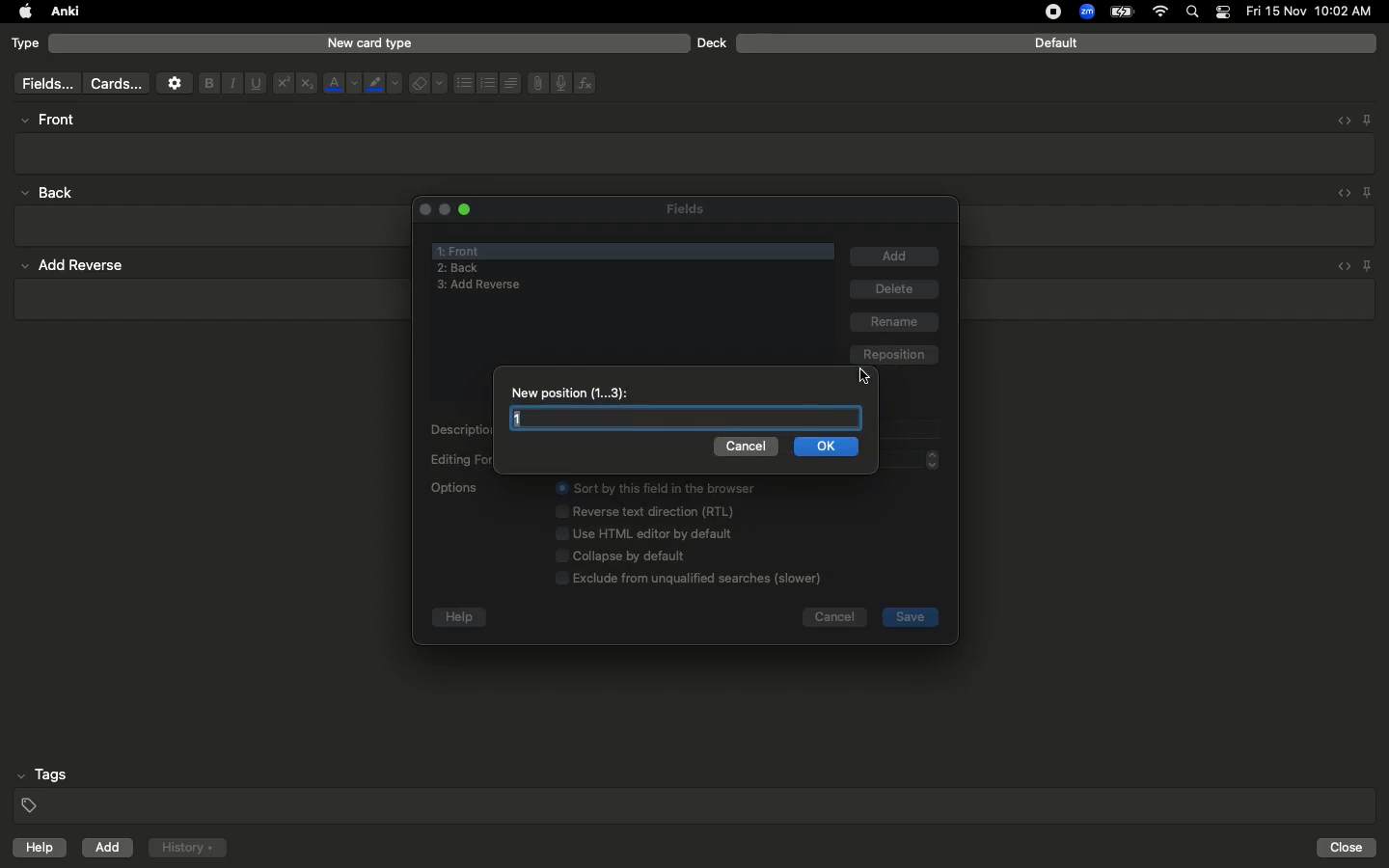 The image size is (1389, 868). Describe the element at coordinates (865, 376) in the screenshot. I see `cursor` at that location.